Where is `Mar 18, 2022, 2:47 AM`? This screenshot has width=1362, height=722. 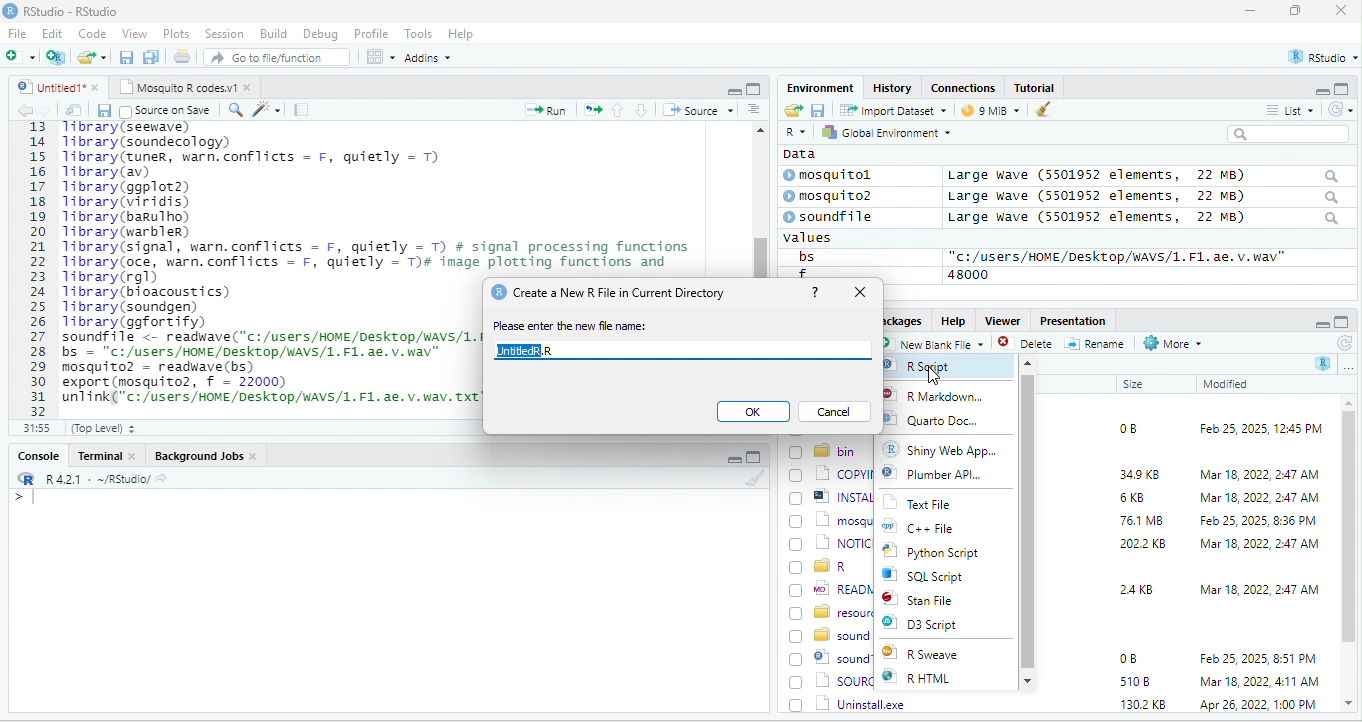
Mar 18, 2022, 2:47 AM is located at coordinates (1259, 588).